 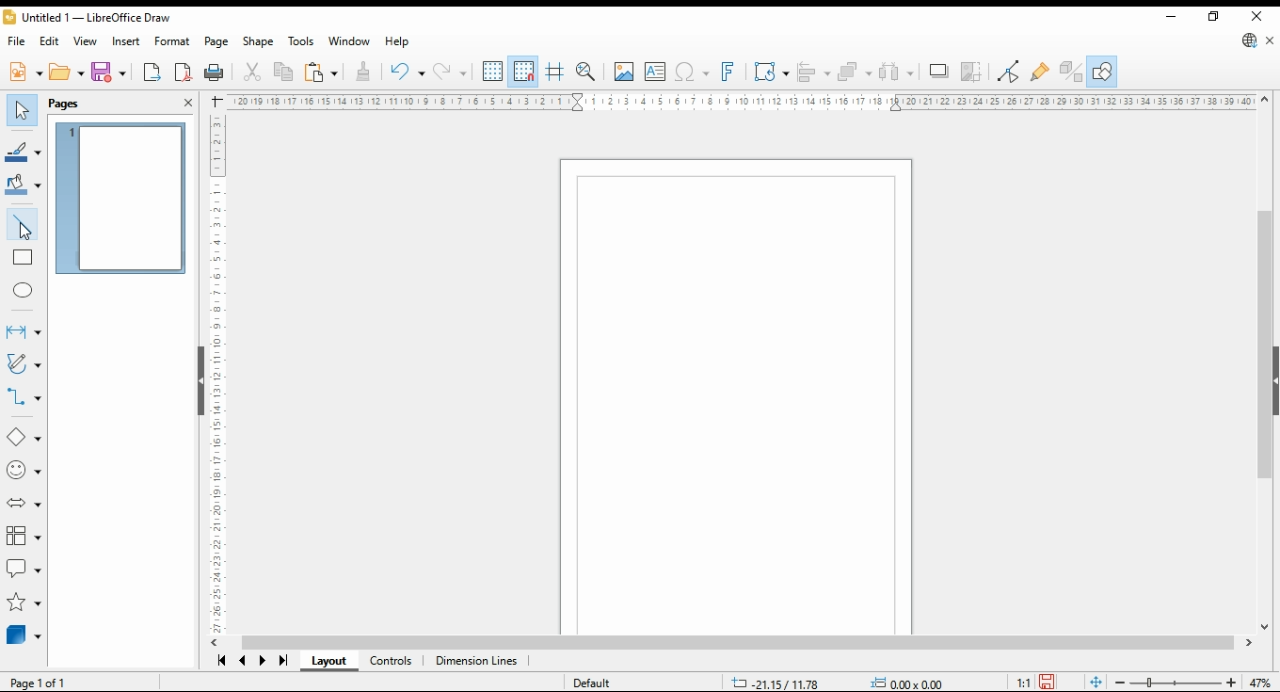 What do you see at coordinates (1102, 71) in the screenshot?
I see `show draw functions` at bounding box center [1102, 71].